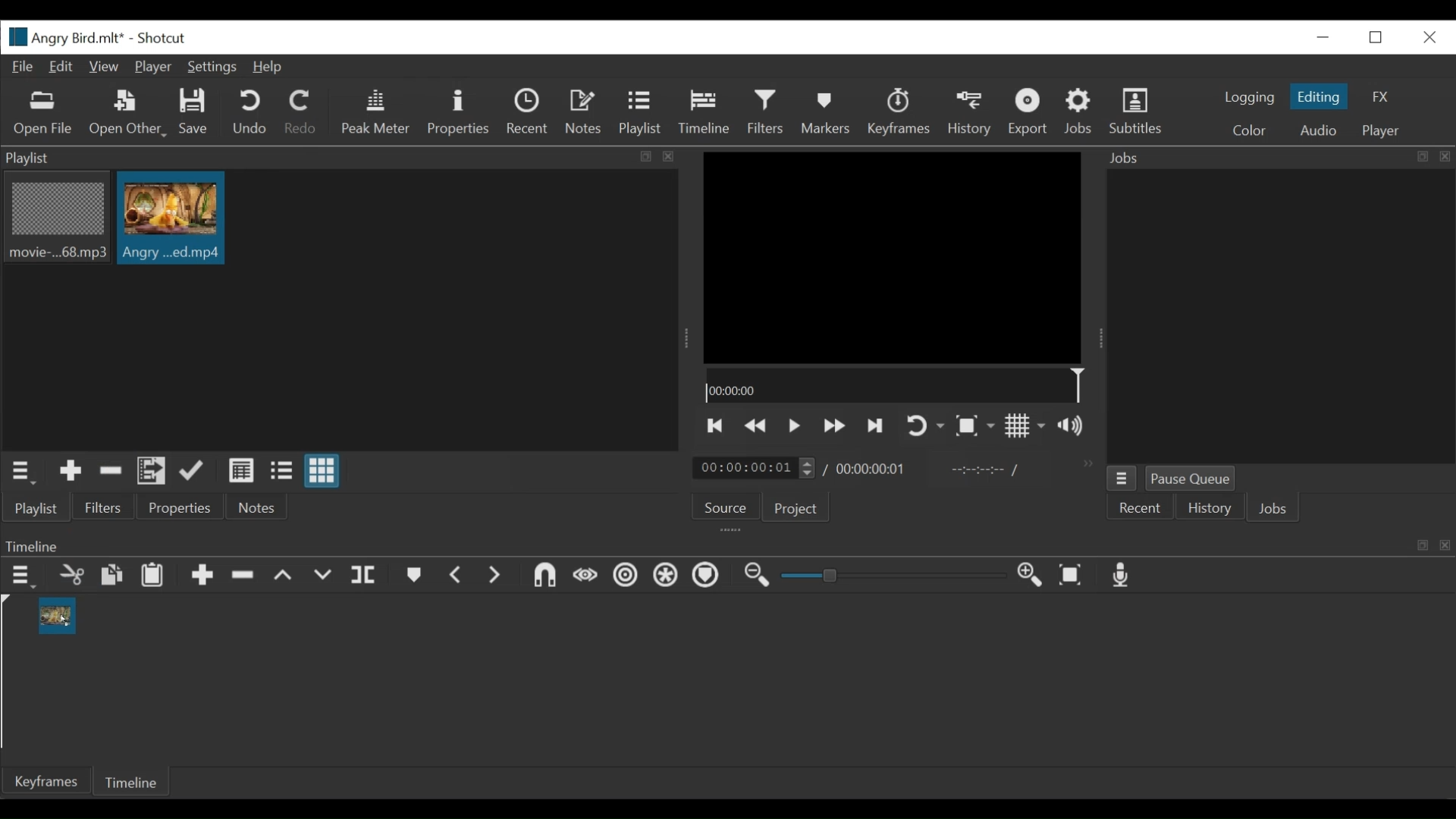 The width and height of the screenshot is (1456, 819). I want to click on Markers, so click(823, 113).